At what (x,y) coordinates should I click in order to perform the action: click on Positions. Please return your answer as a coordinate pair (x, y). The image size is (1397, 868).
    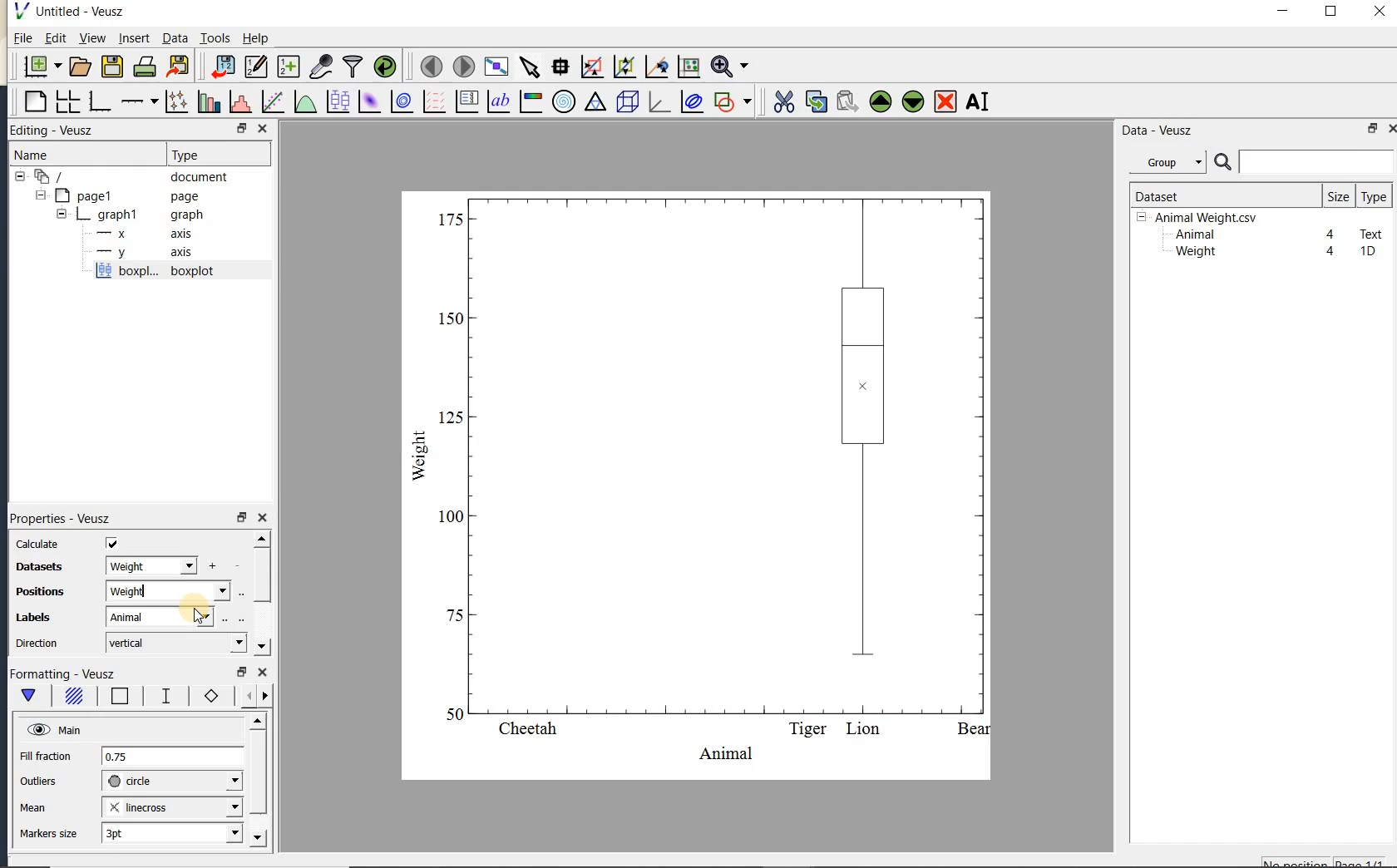
    Looking at the image, I should click on (34, 593).